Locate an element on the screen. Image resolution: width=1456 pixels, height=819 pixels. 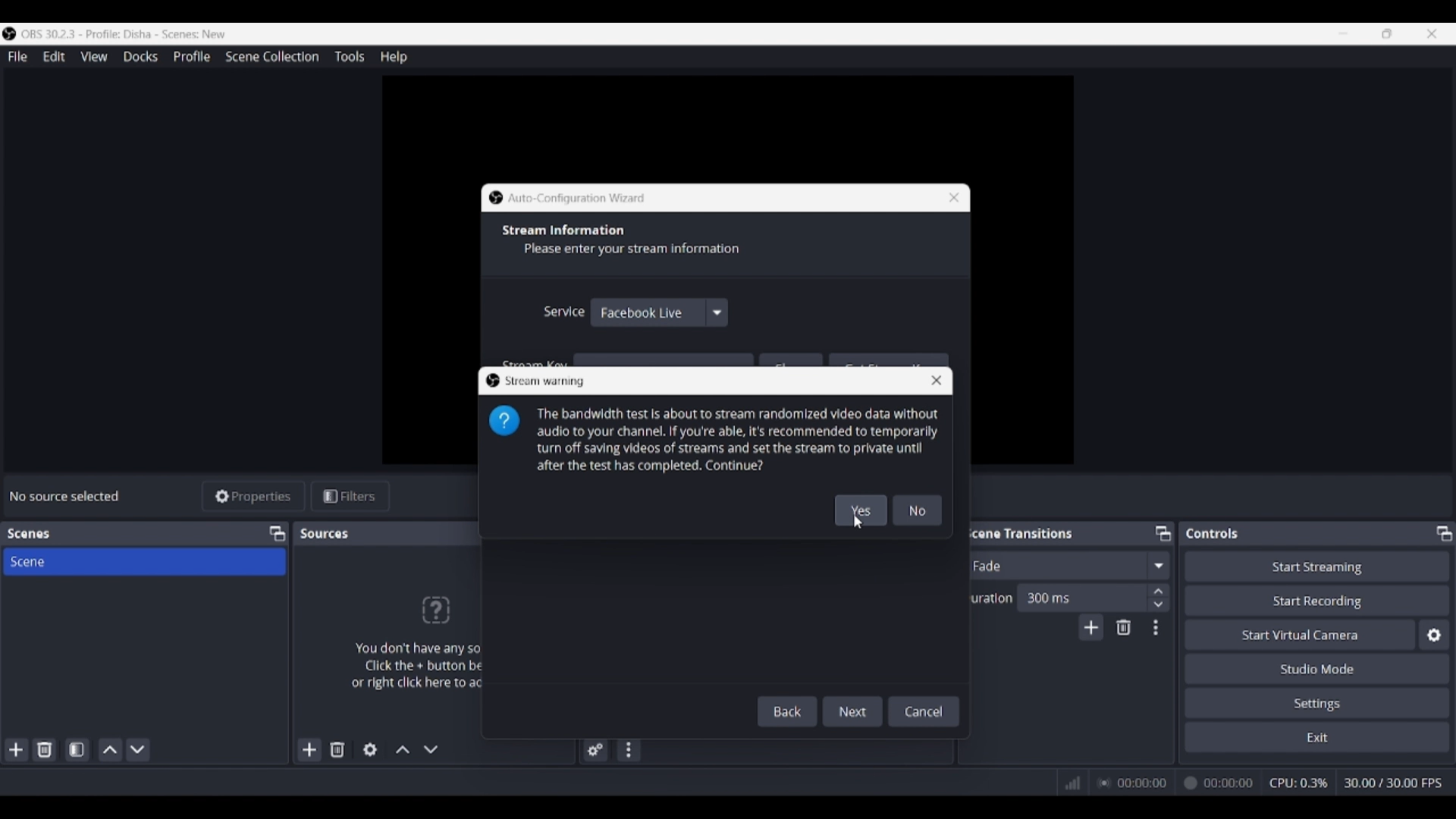
Section title and description is located at coordinates (628, 241).